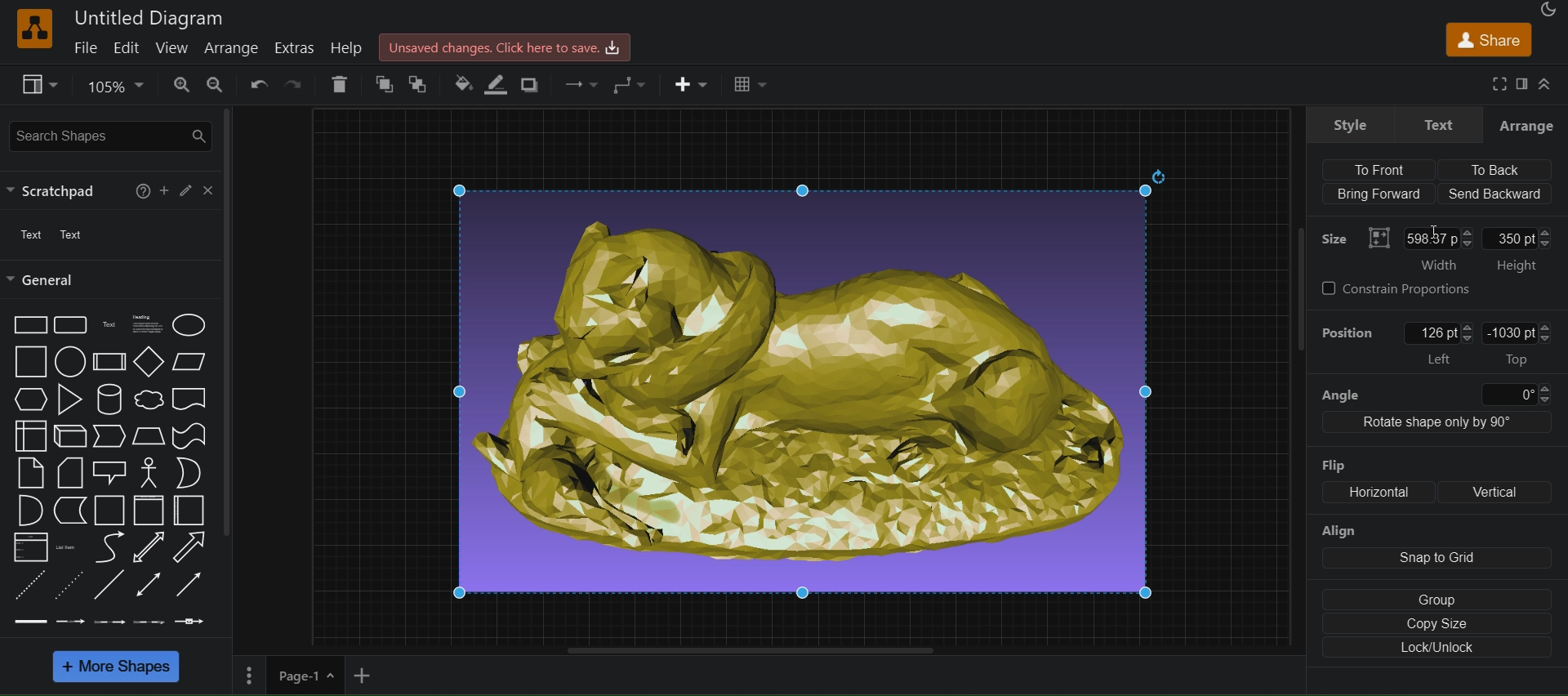  What do you see at coordinates (209, 190) in the screenshot?
I see `close` at bounding box center [209, 190].